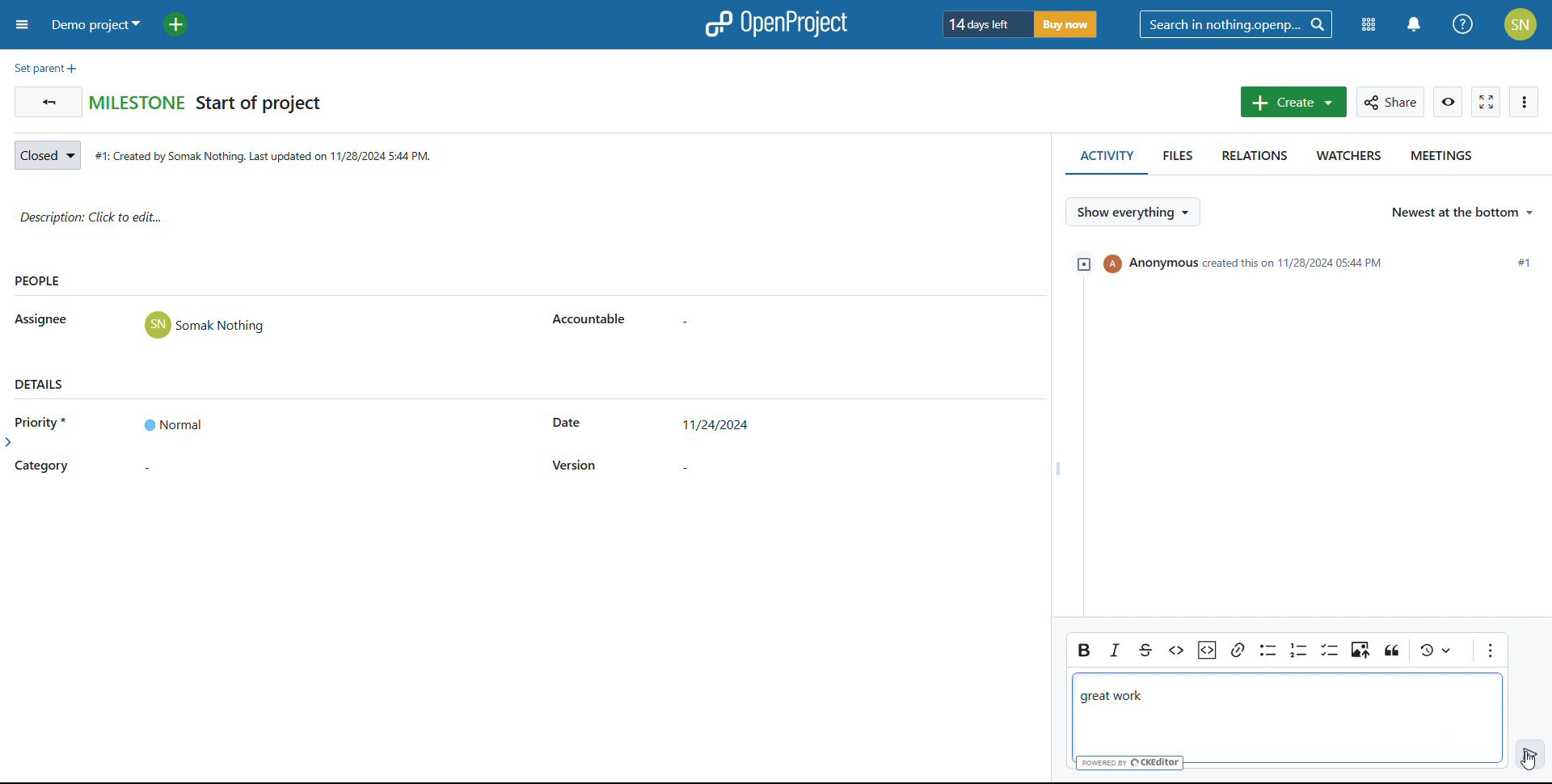 Image resolution: width=1552 pixels, height=784 pixels. I want to click on resize, so click(1055, 468).